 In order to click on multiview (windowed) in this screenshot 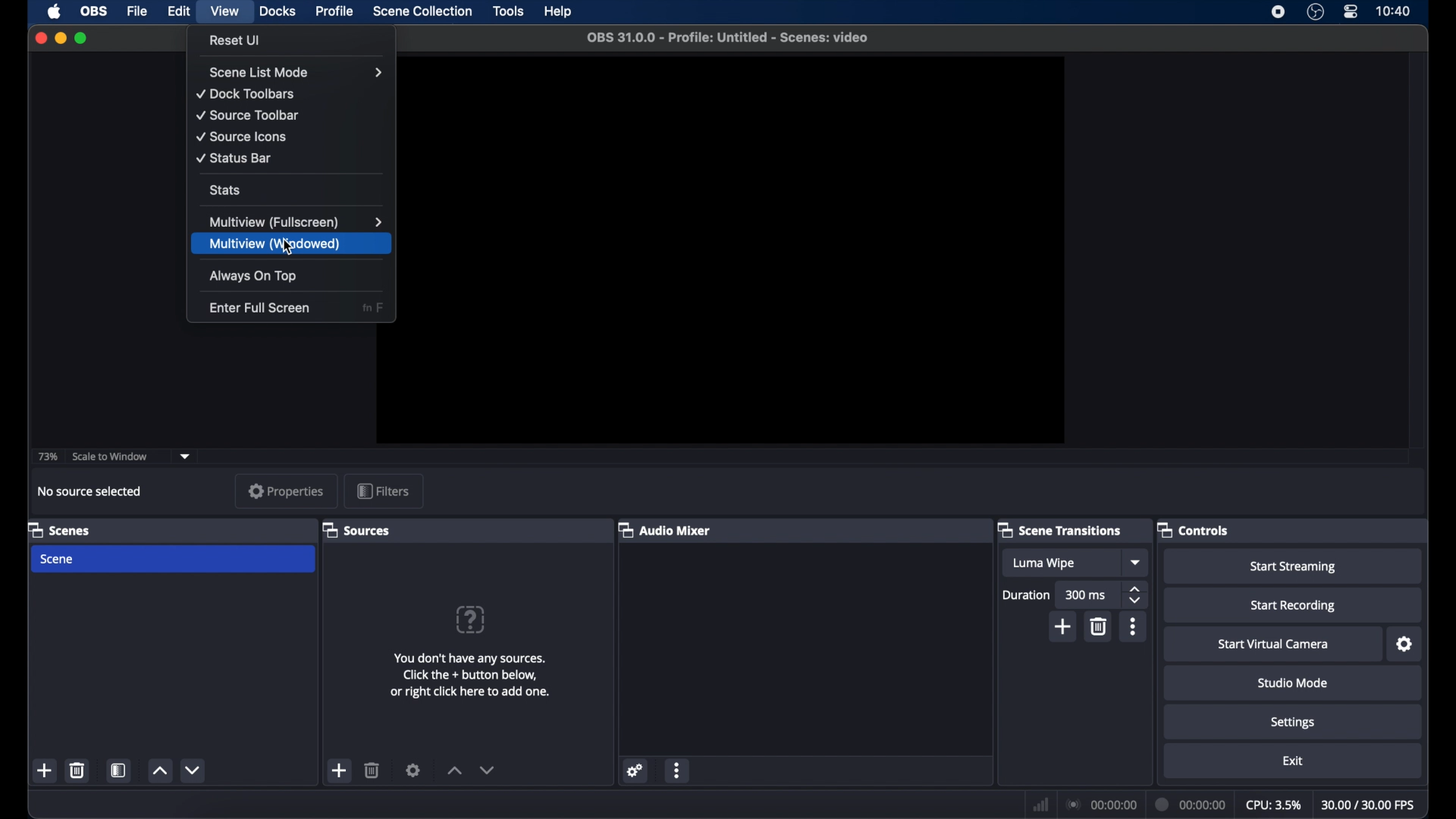, I will do `click(277, 245)`.